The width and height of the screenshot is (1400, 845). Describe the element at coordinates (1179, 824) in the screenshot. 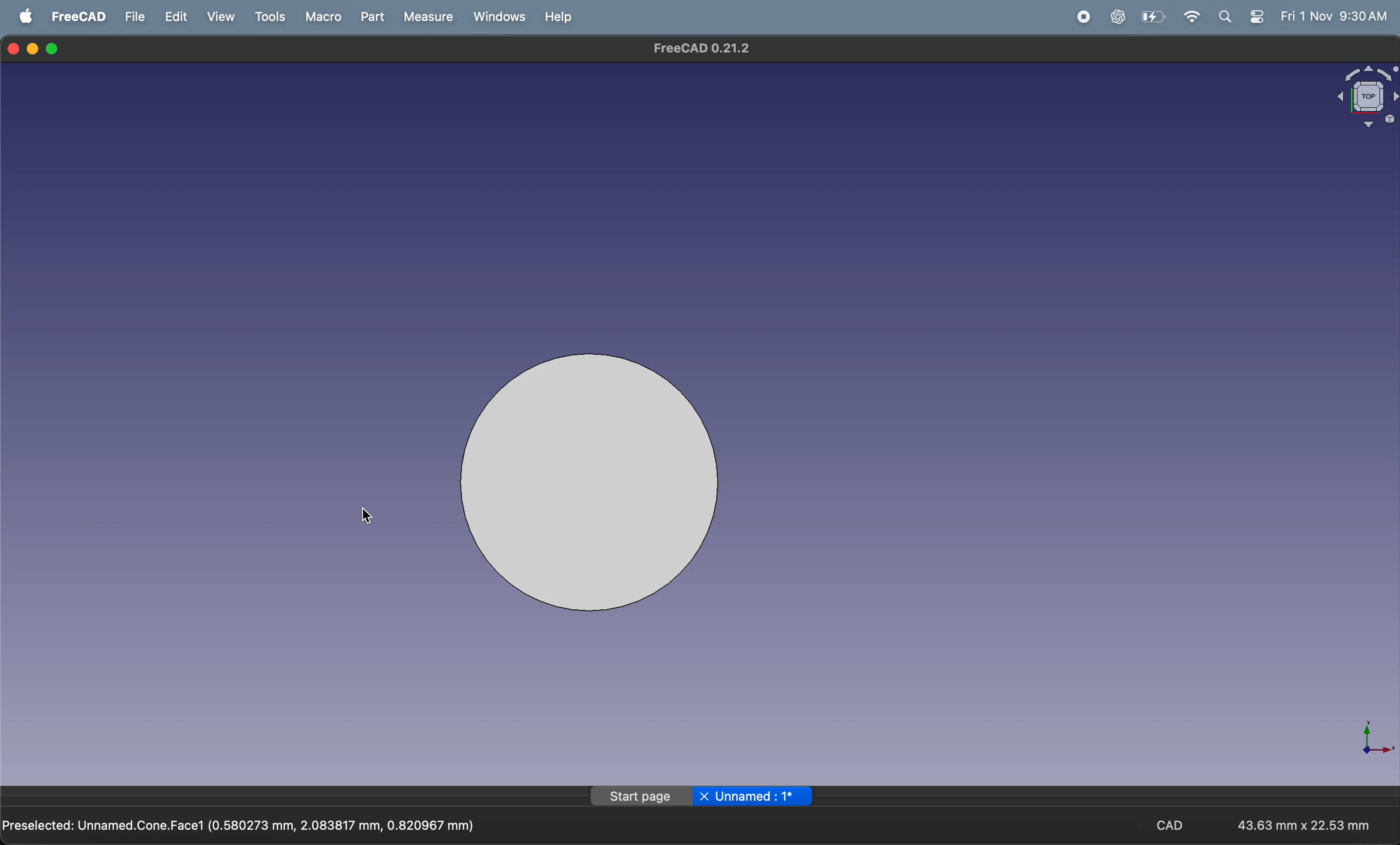

I see `CAD` at that location.